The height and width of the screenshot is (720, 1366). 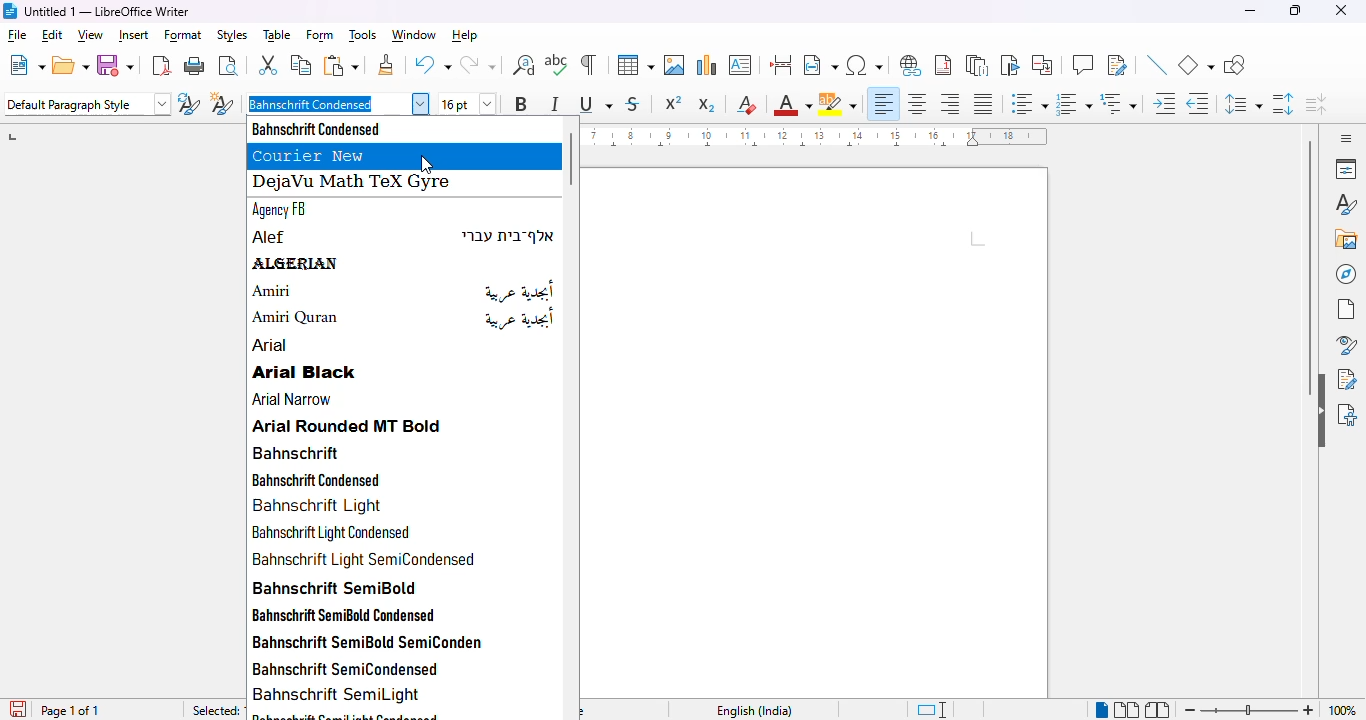 I want to click on bahnschrift semibold semicondensed, so click(x=368, y=641).